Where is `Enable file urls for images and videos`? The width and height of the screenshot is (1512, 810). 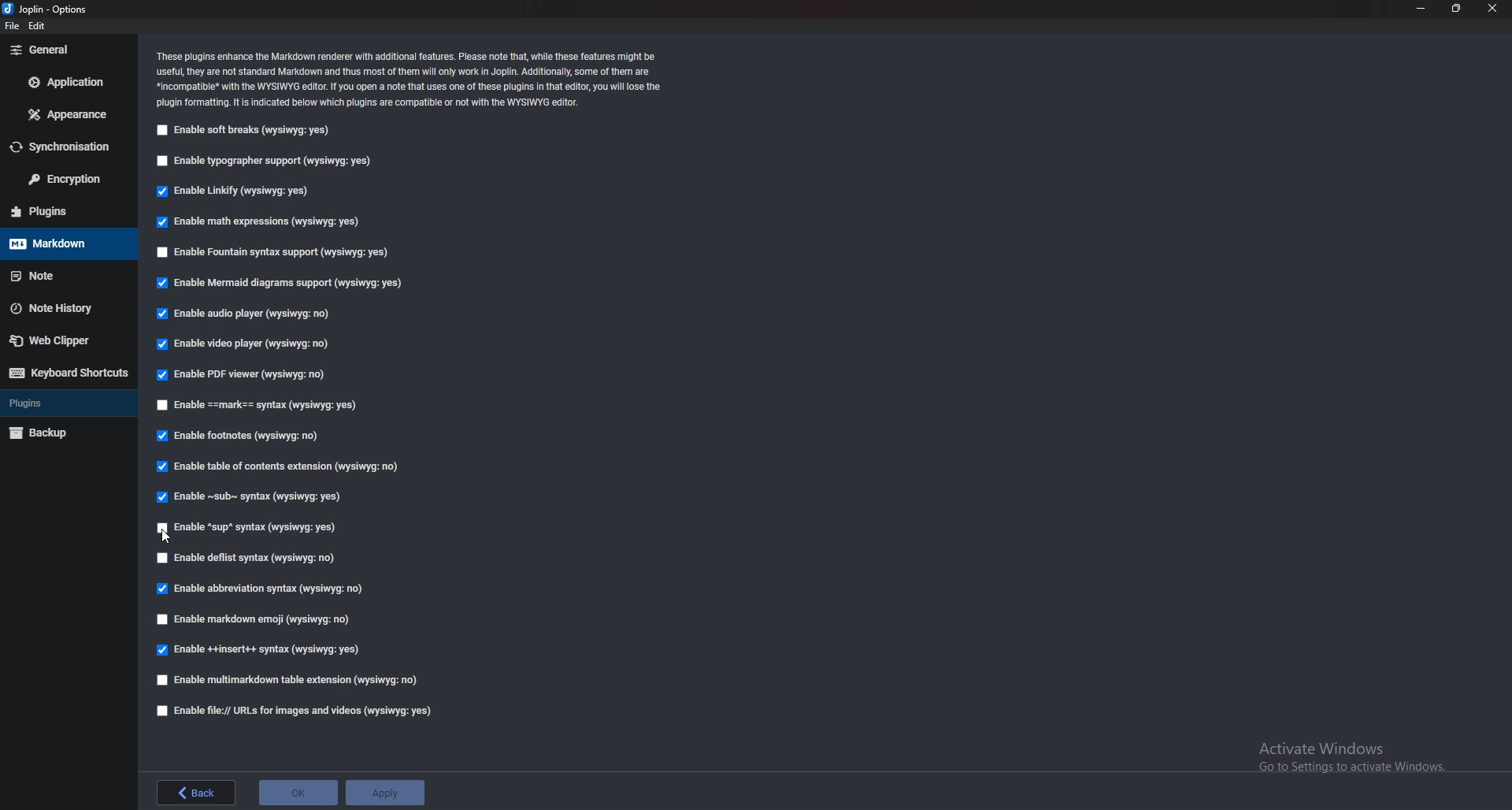
Enable file urls for images and videos is located at coordinates (299, 710).